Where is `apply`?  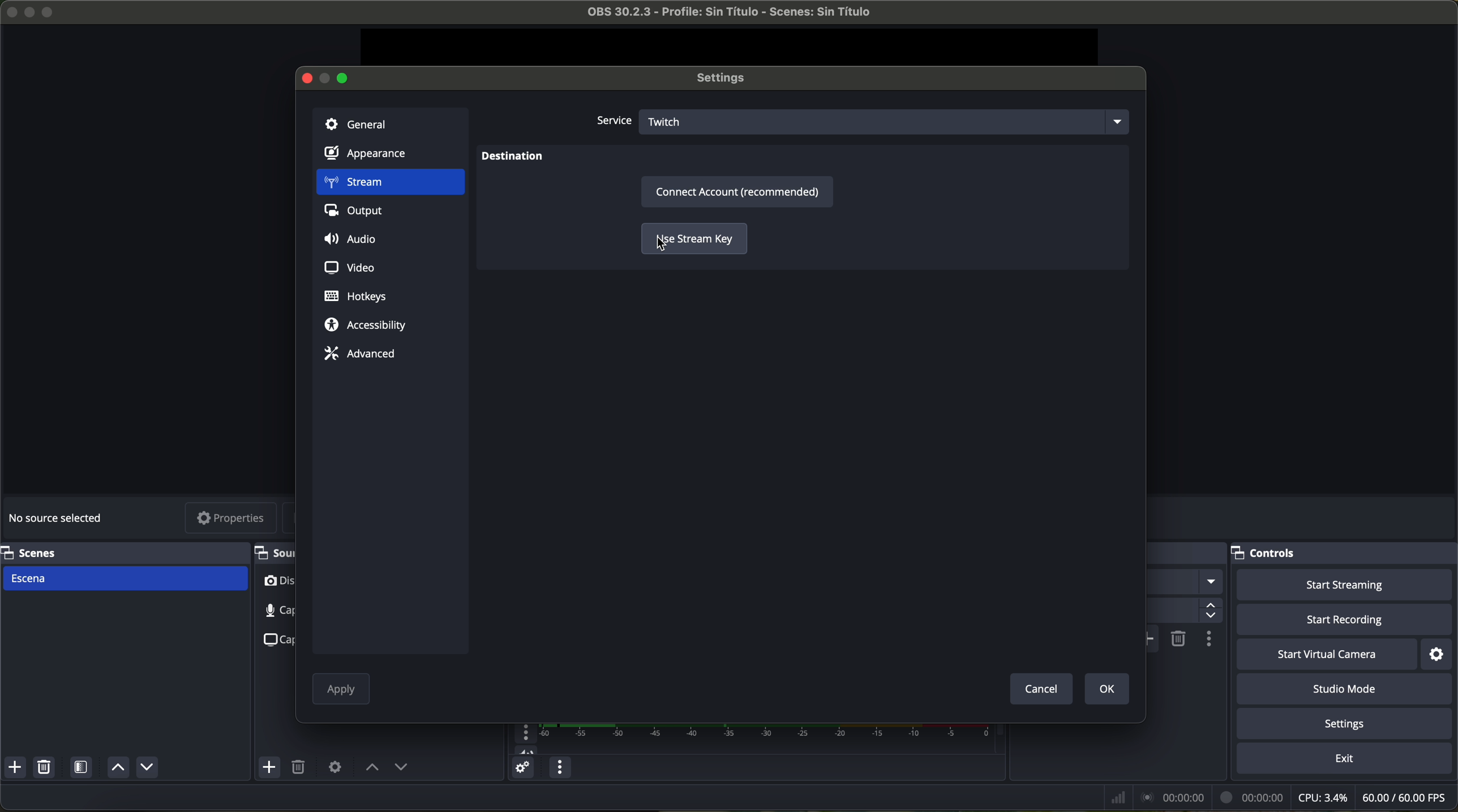 apply is located at coordinates (341, 691).